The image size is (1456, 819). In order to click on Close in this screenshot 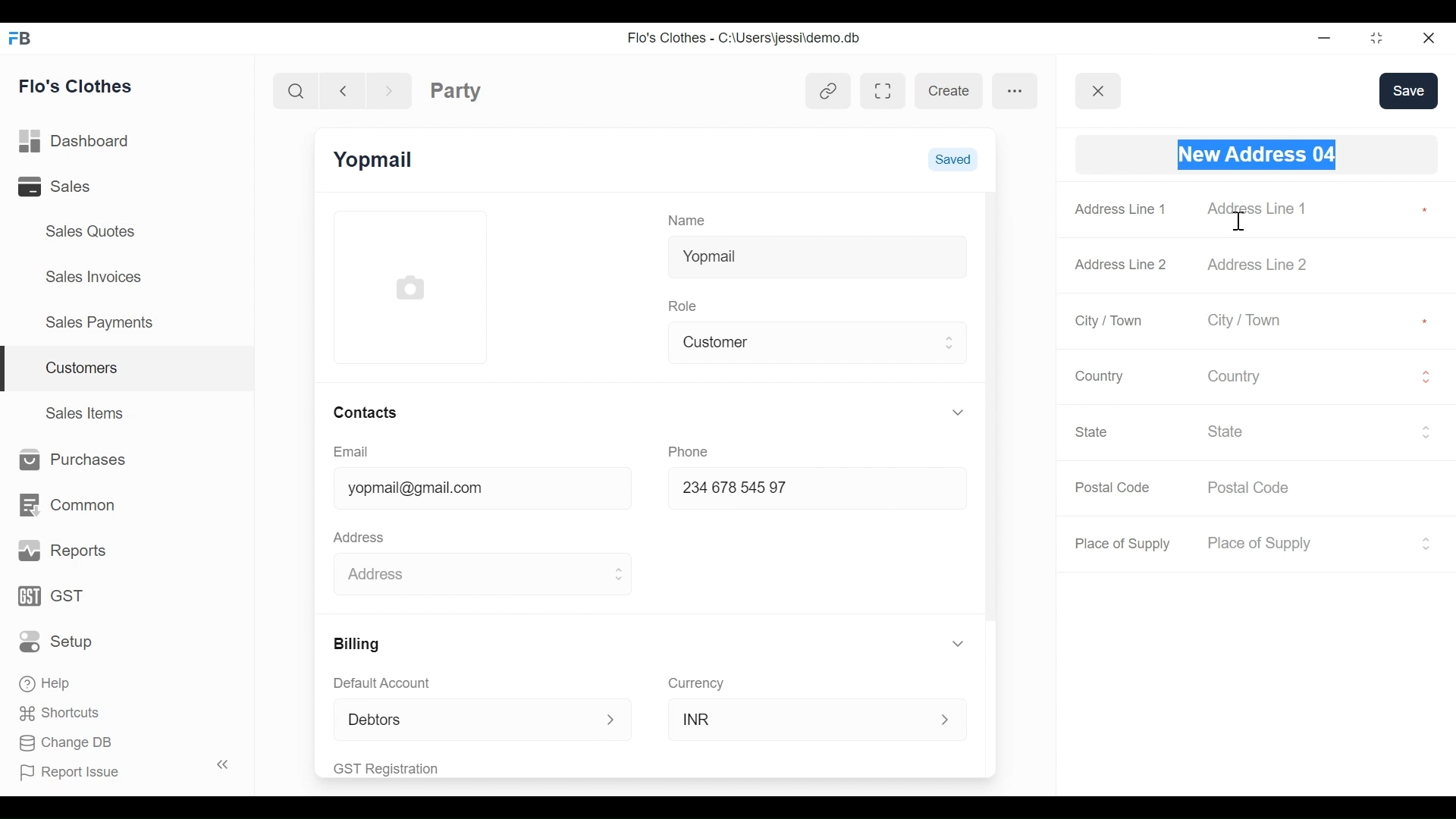, I will do `click(1426, 37)`.